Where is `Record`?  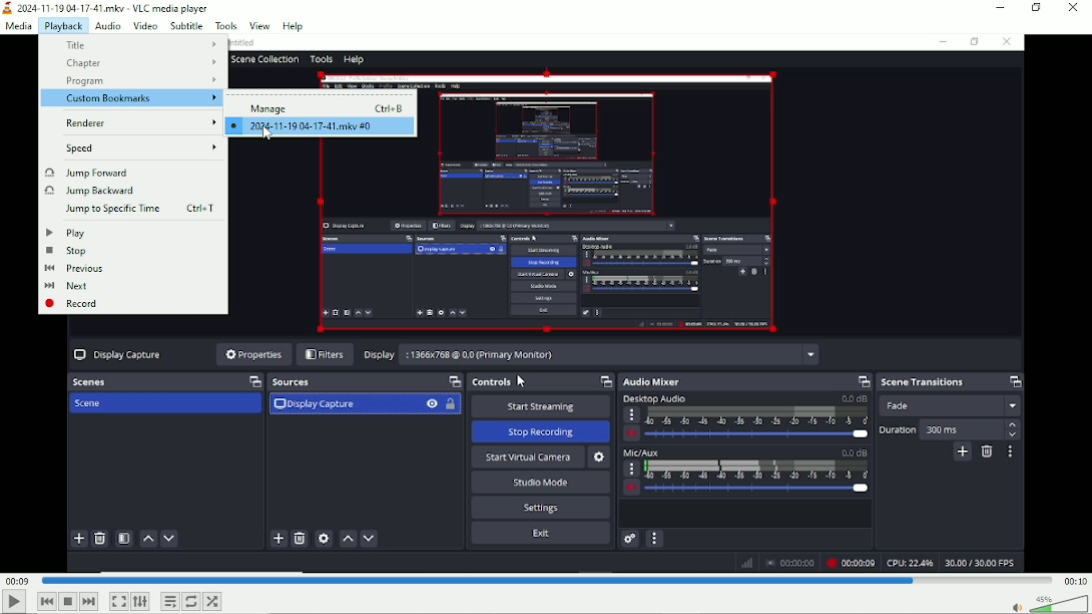
Record is located at coordinates (73, 304).